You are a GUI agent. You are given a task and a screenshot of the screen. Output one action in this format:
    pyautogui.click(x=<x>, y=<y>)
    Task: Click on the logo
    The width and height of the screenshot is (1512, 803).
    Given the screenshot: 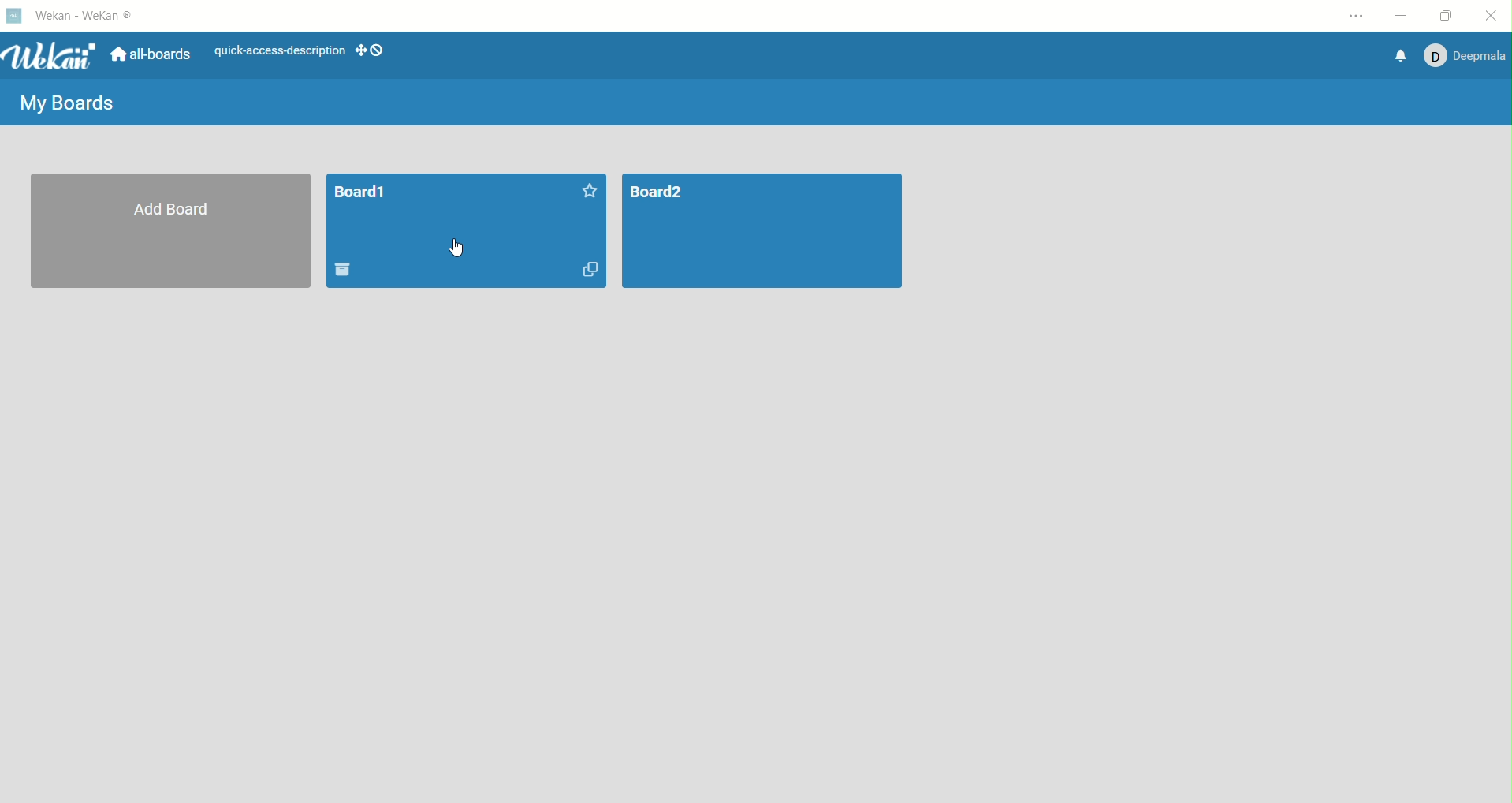 What is the action you would take?
    pyautogui.click(x=12, y=17)
    